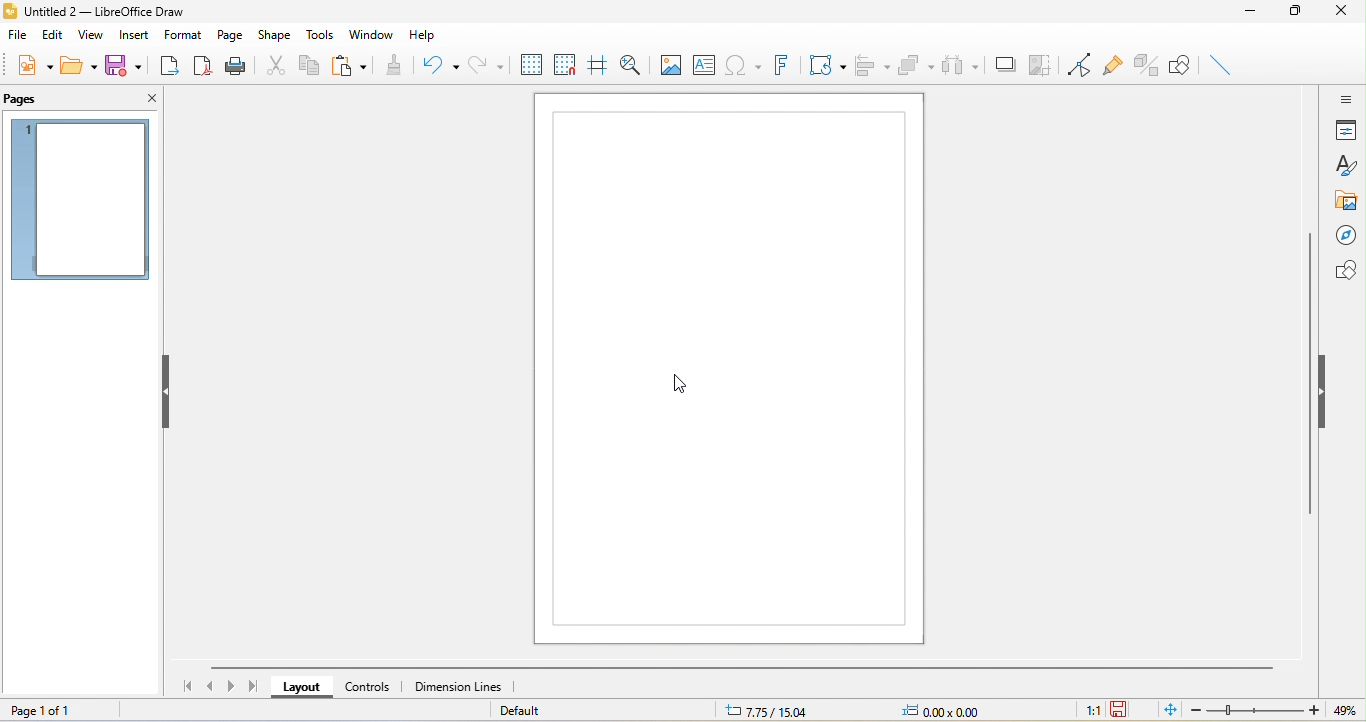 The width and height of the screenshot is (1366, 722). Describe the element at coordinates (202, 62) in the screenshot. I see `export directly as pdf` at that location.